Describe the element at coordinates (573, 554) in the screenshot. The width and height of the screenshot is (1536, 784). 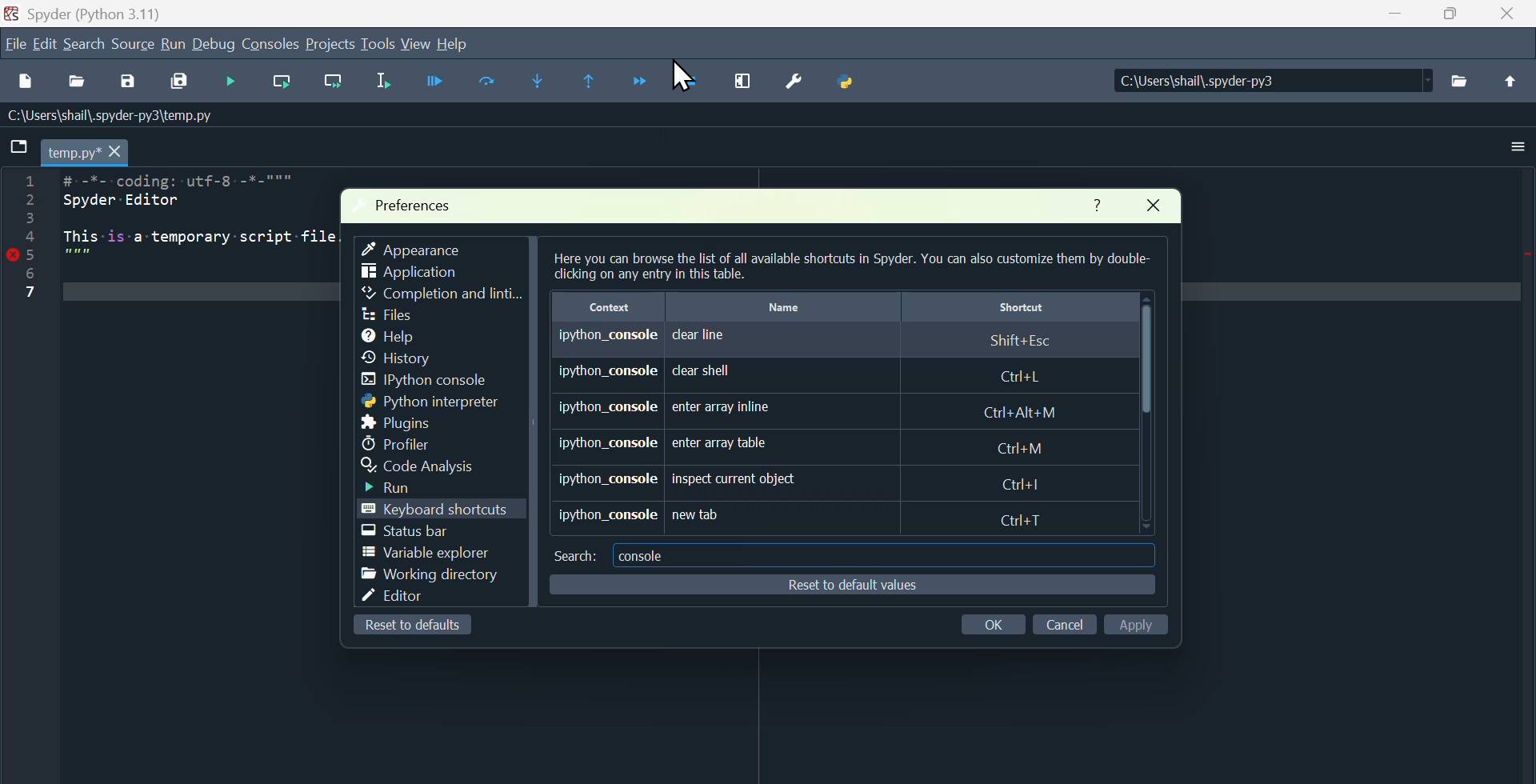
I see `search` at that location.